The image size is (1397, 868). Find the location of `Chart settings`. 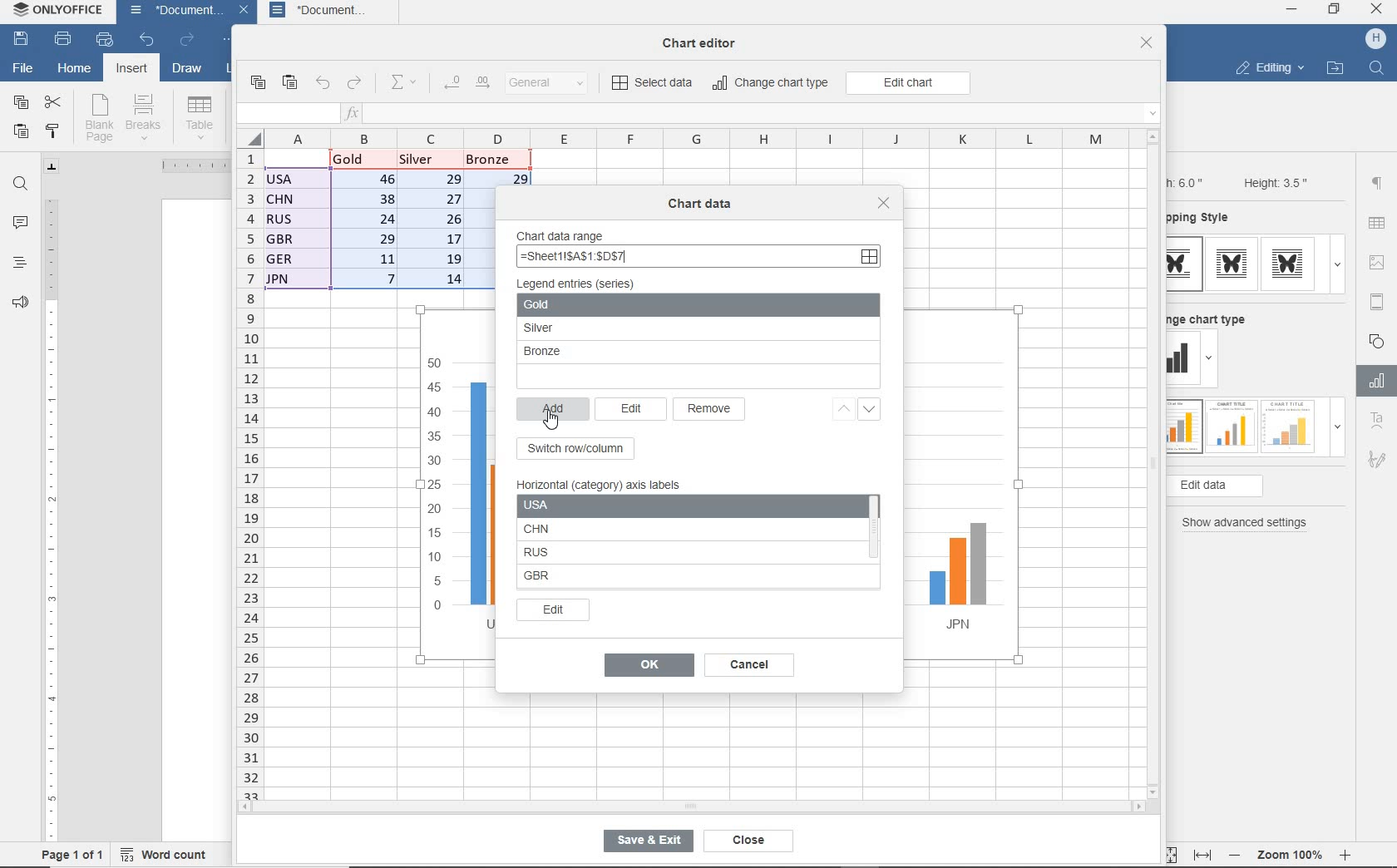

Chart settings is located at coordinates (1374, 381).